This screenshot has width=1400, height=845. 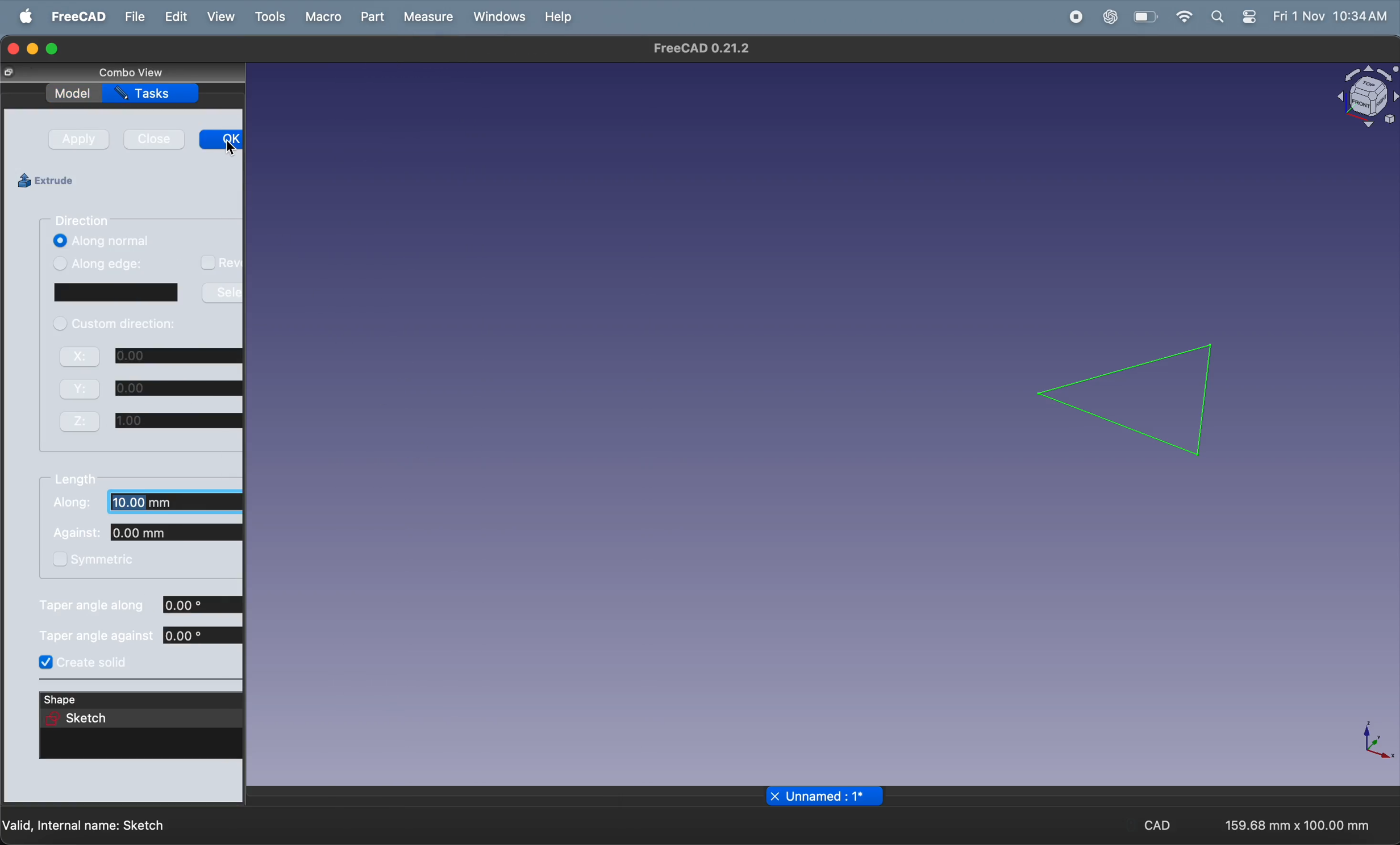 I want to click on x cordinate, so click(x=181, y=357).